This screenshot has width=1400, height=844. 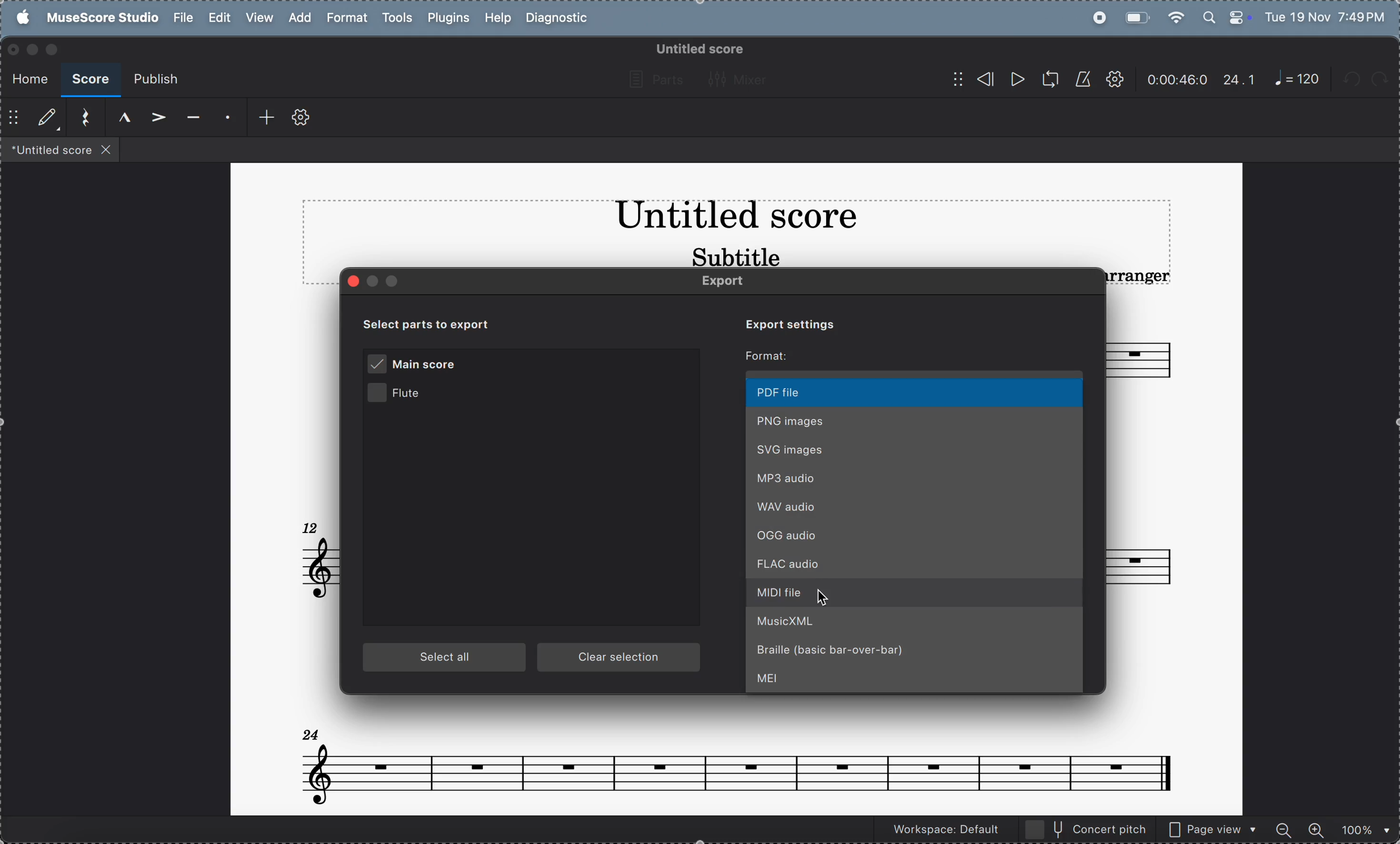 What do you see at coordinates (1226, 16) in the screenshot?
I see `apple widgets` at bounding box center [1226, 16].